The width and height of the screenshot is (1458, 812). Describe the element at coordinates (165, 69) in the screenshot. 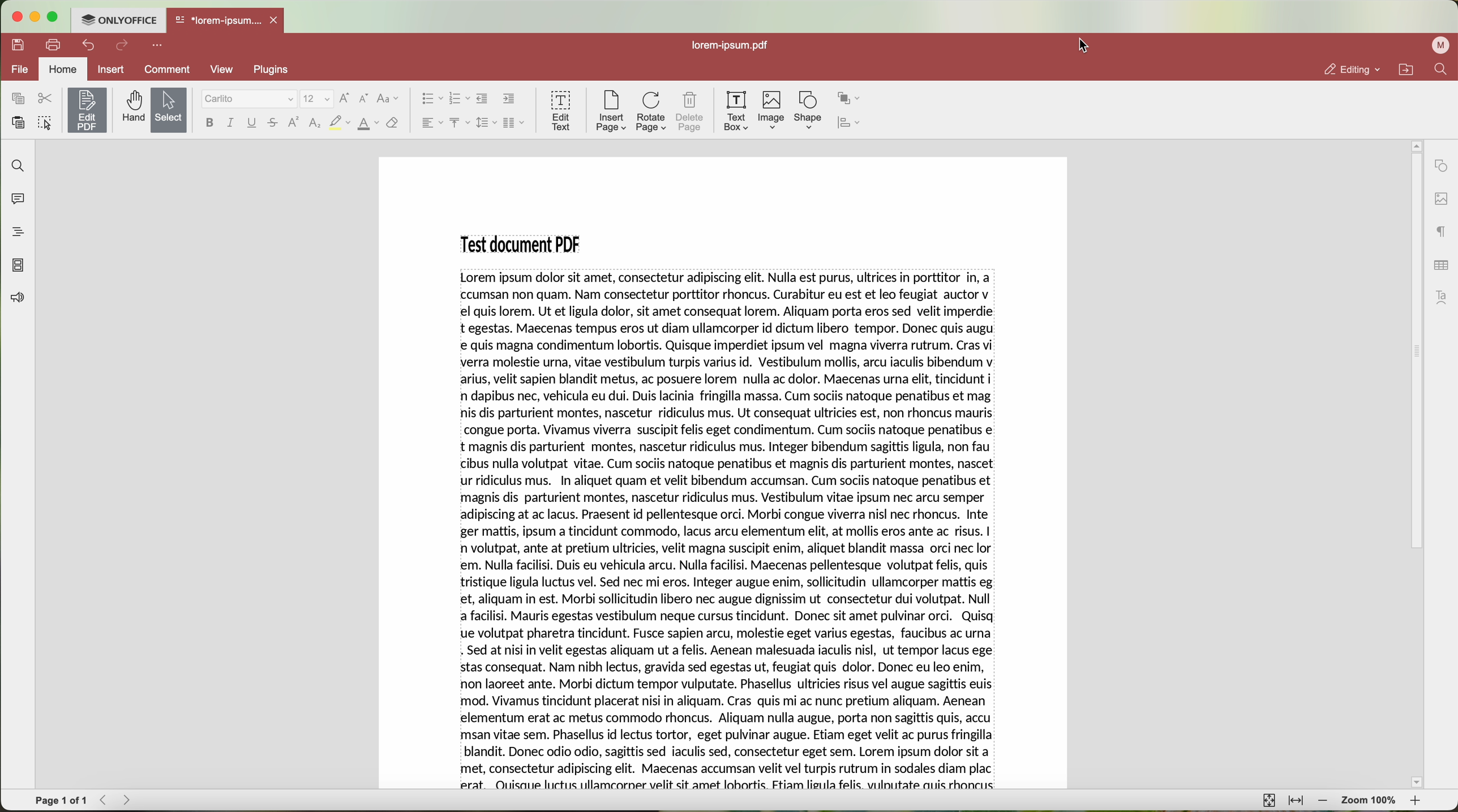

I see `comment` at that location.